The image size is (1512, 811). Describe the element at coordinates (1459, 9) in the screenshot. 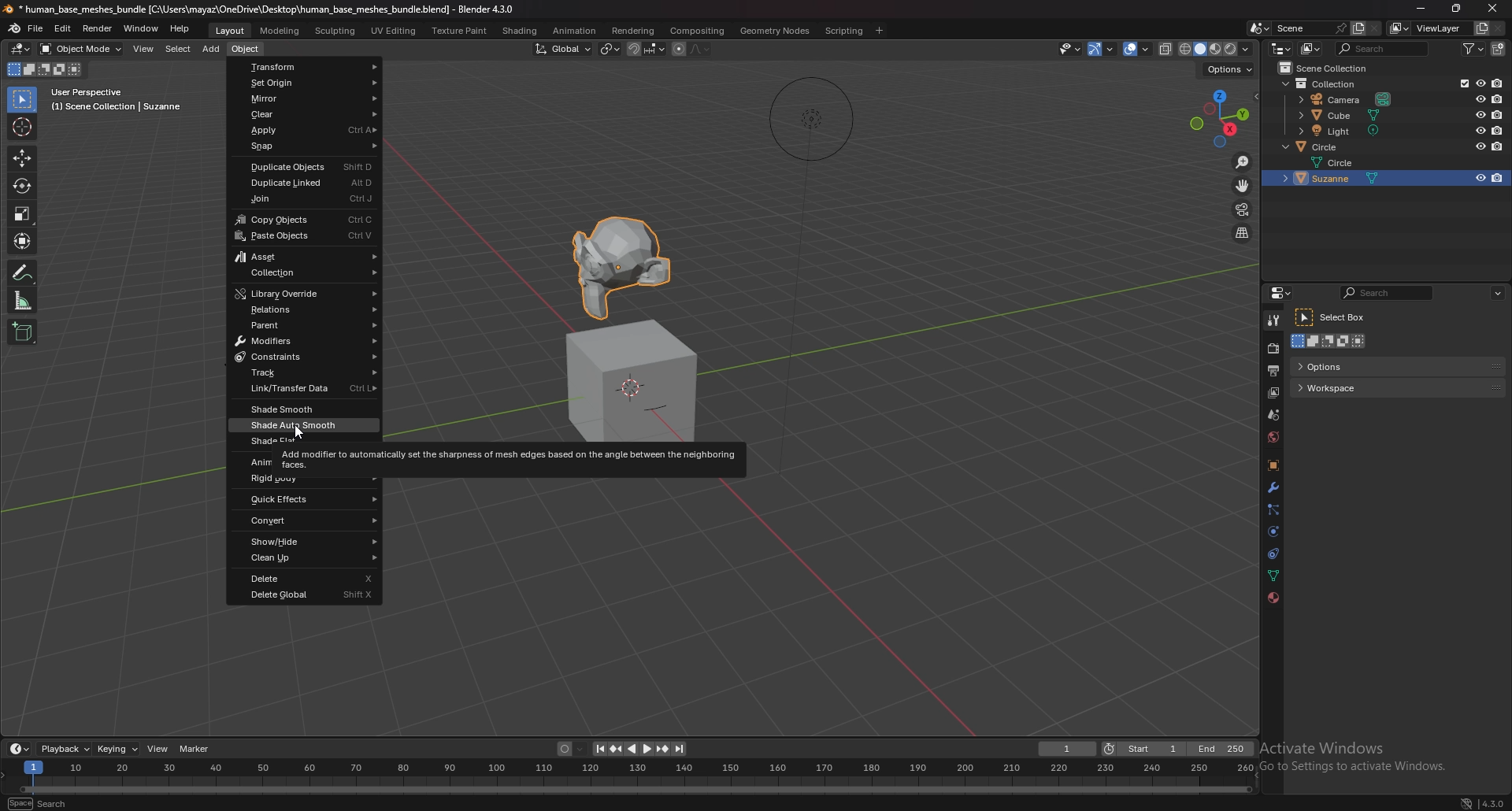

I see `resize` at that location.